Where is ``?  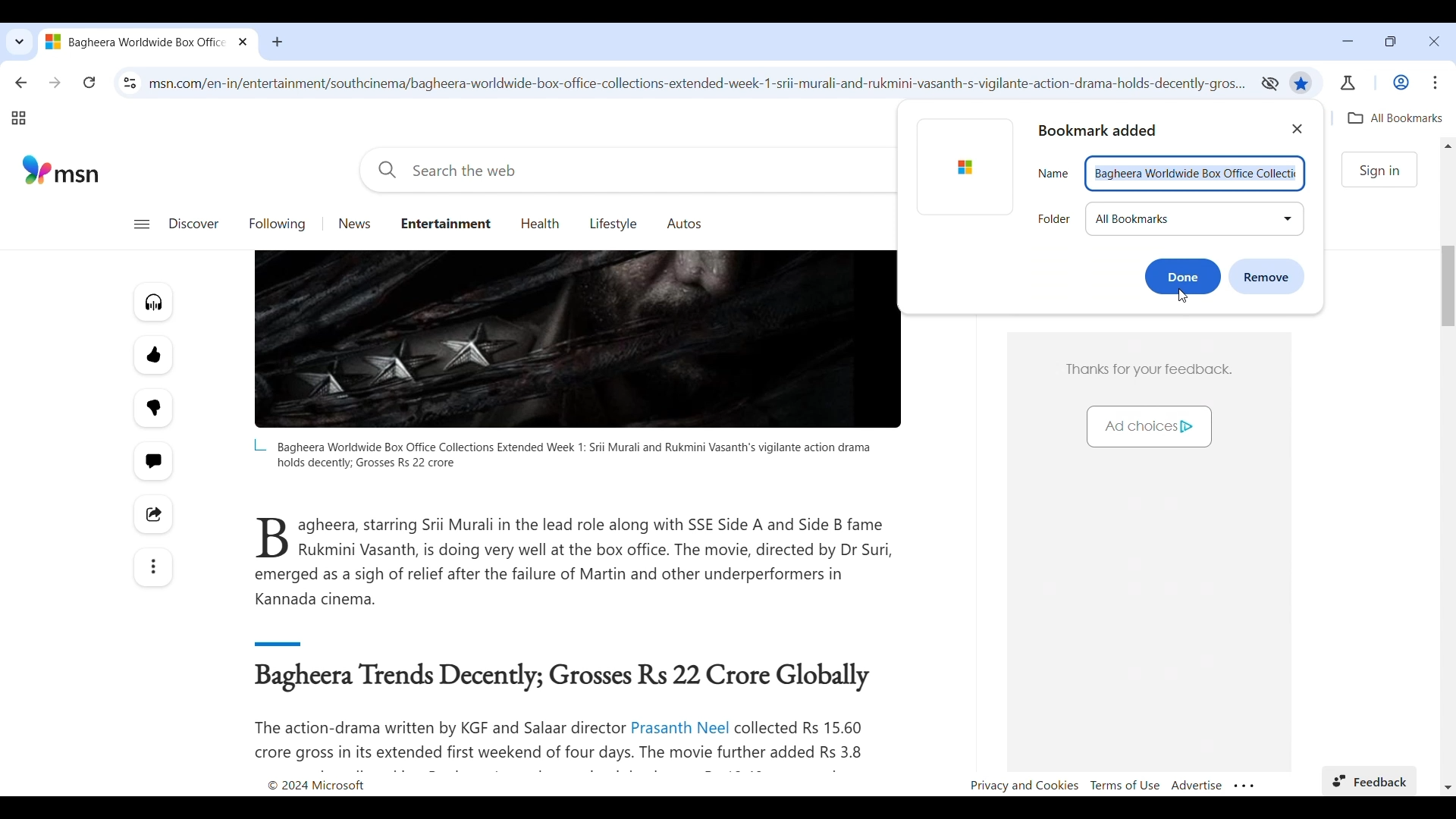
 is located at coordinates (1053, 171).